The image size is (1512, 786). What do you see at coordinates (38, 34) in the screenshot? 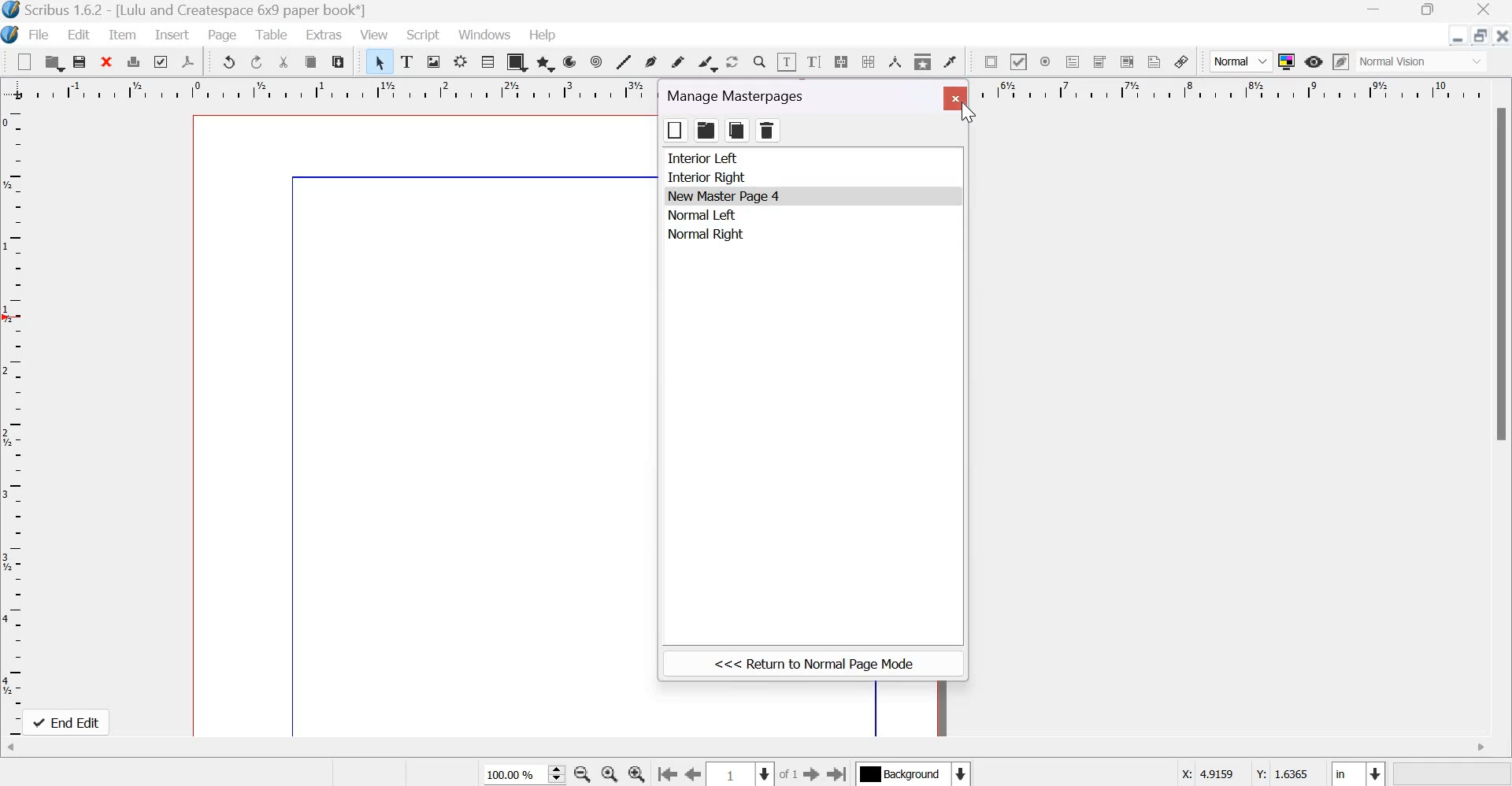
I see `File` at bounding box center [38, 34].